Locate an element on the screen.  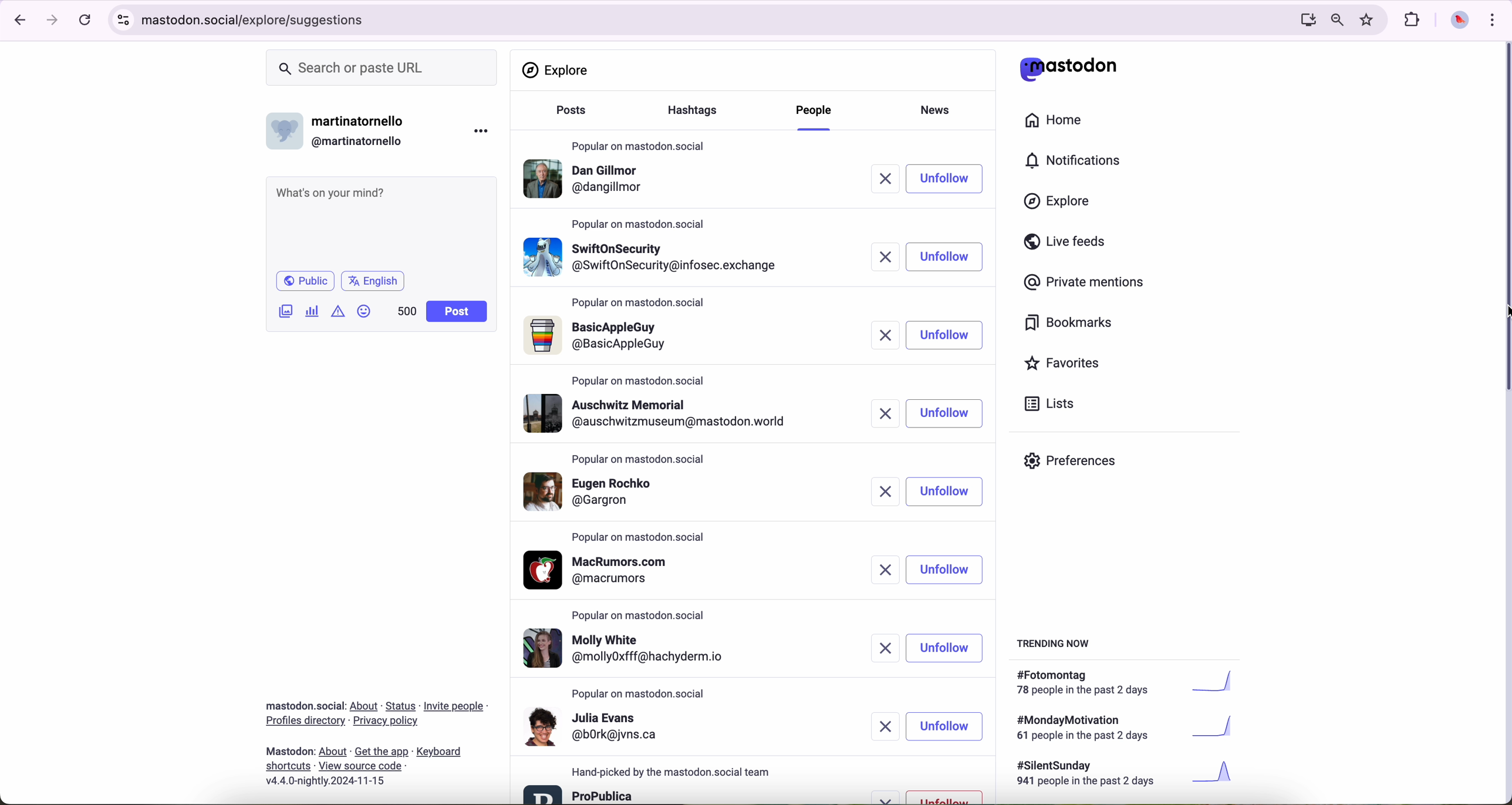
computer is located at coordinates (1303, 19).